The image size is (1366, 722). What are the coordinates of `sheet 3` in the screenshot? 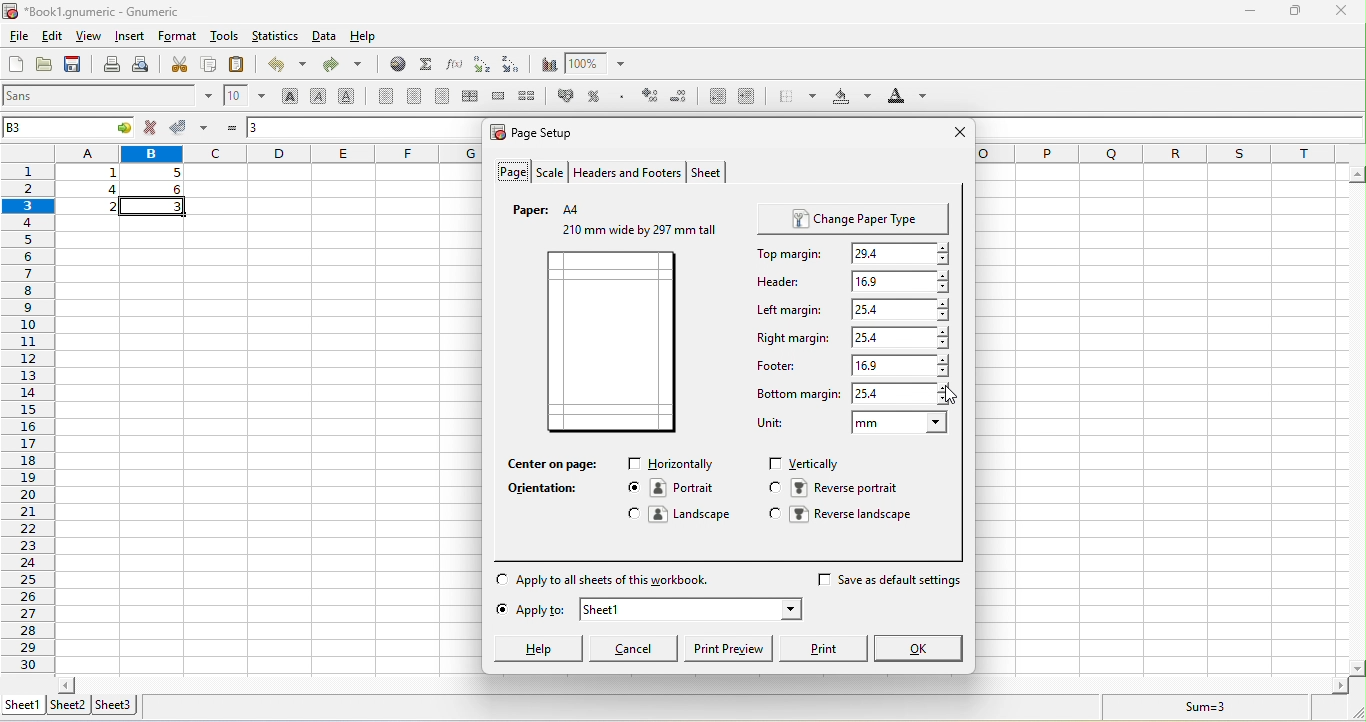 It's located at (117, 707).